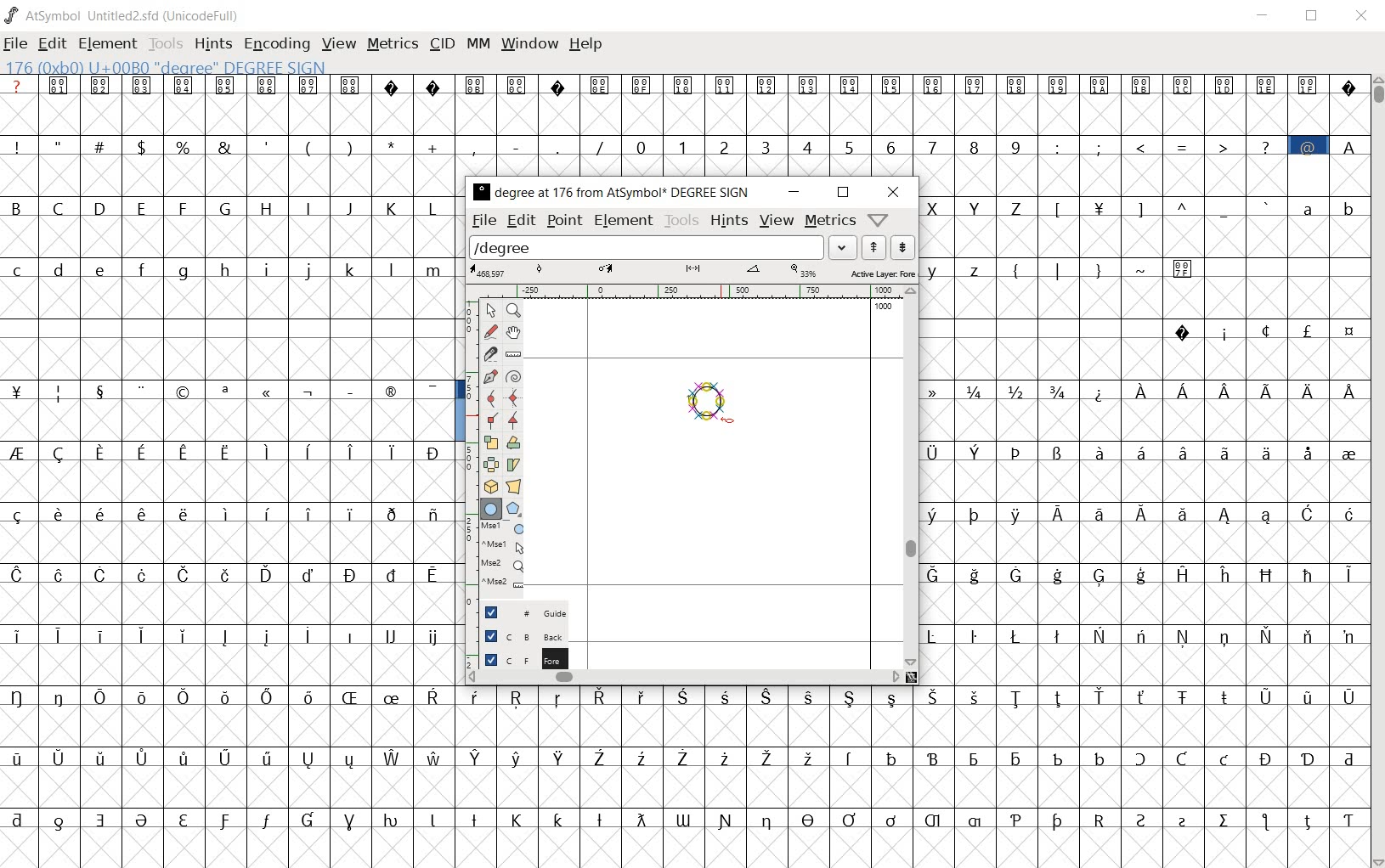  I want to click on unicode code points, so click(499, 84).